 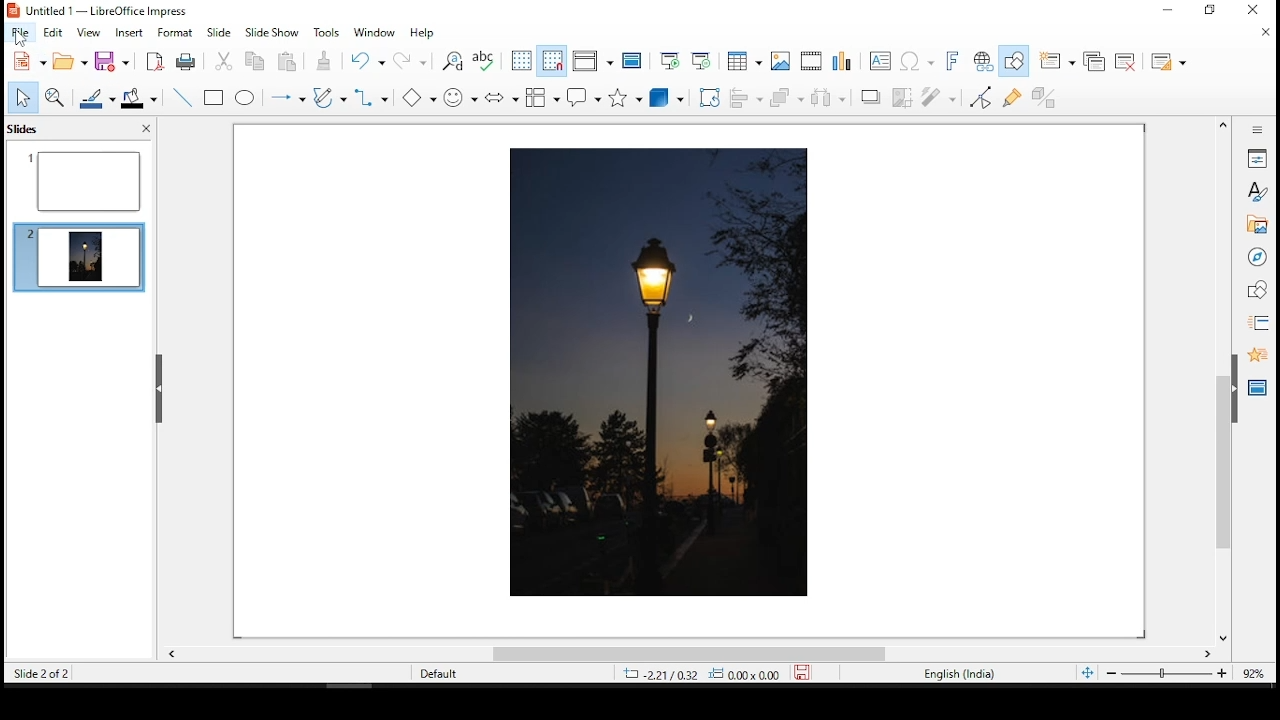 What do you see at coordinates (847, 60) in the screenshot?
I see `charts` at bounding box center [847, 60].